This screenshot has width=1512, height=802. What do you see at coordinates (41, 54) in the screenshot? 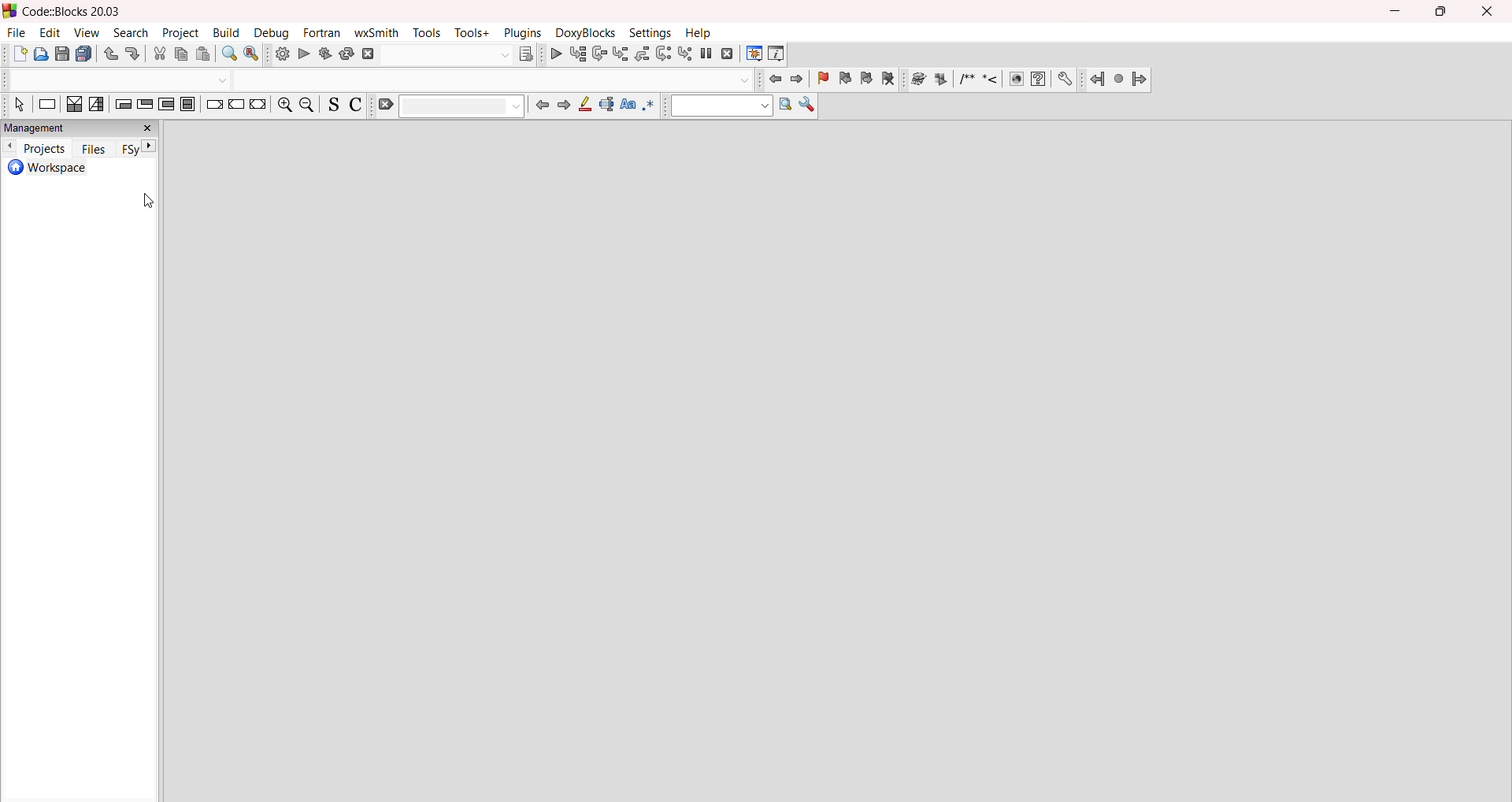
I see `open` at bounding box center [41, 54].